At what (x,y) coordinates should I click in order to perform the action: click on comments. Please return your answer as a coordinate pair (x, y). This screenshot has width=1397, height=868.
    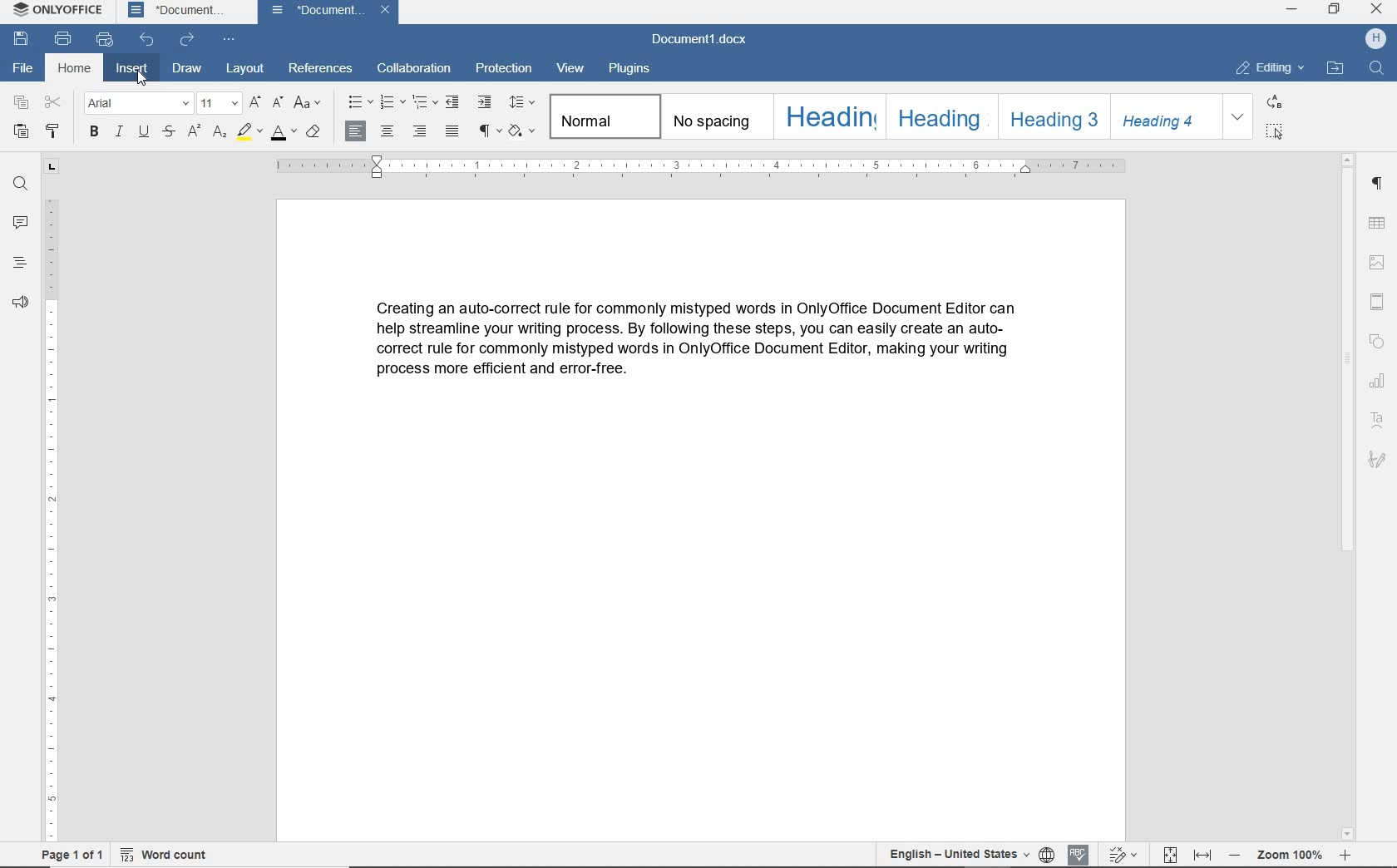
    Looking at the image, I should click on (18, 223).